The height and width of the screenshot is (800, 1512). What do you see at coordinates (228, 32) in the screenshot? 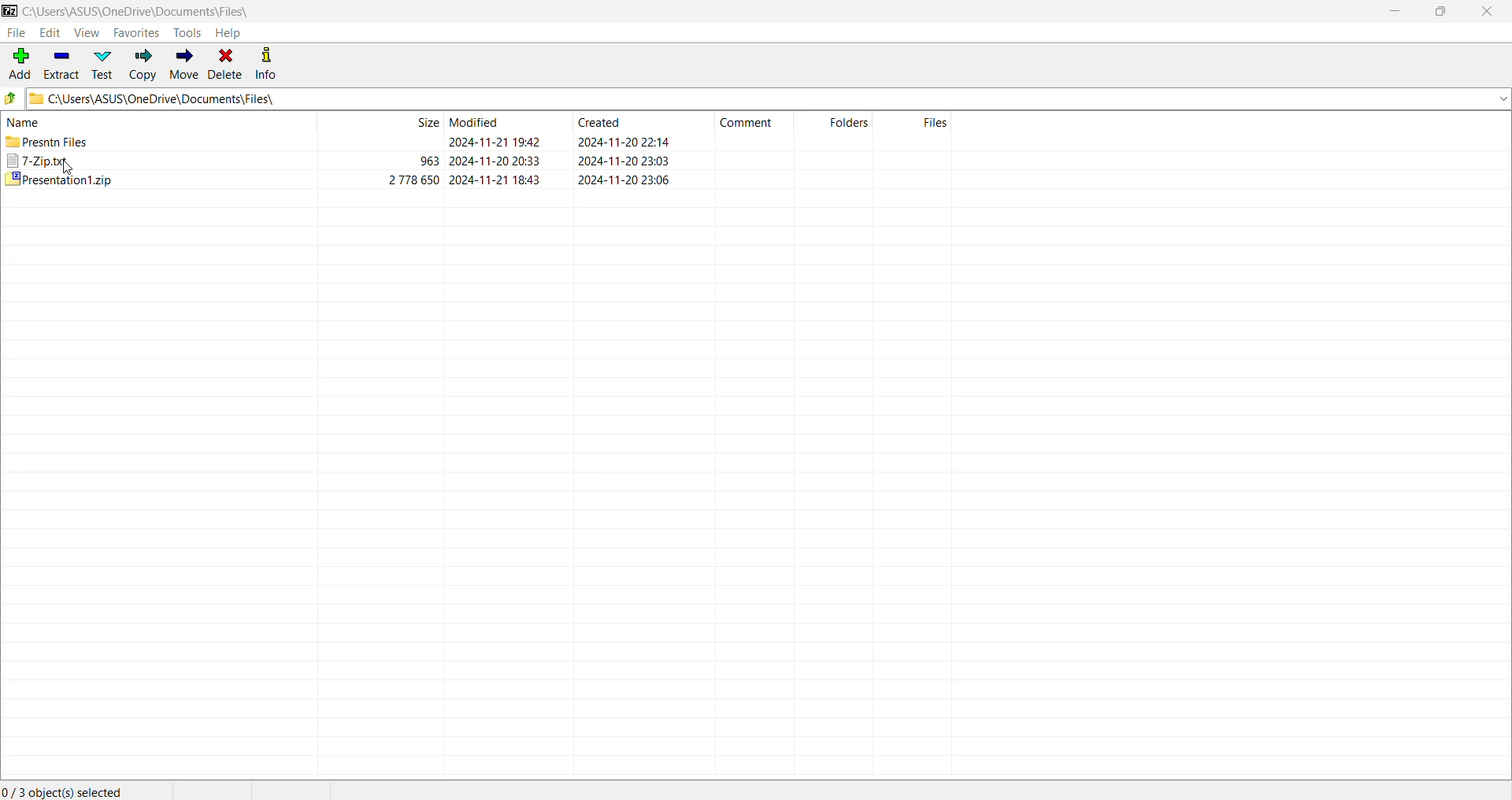
I see `Help` at bounding box center [228, 32].